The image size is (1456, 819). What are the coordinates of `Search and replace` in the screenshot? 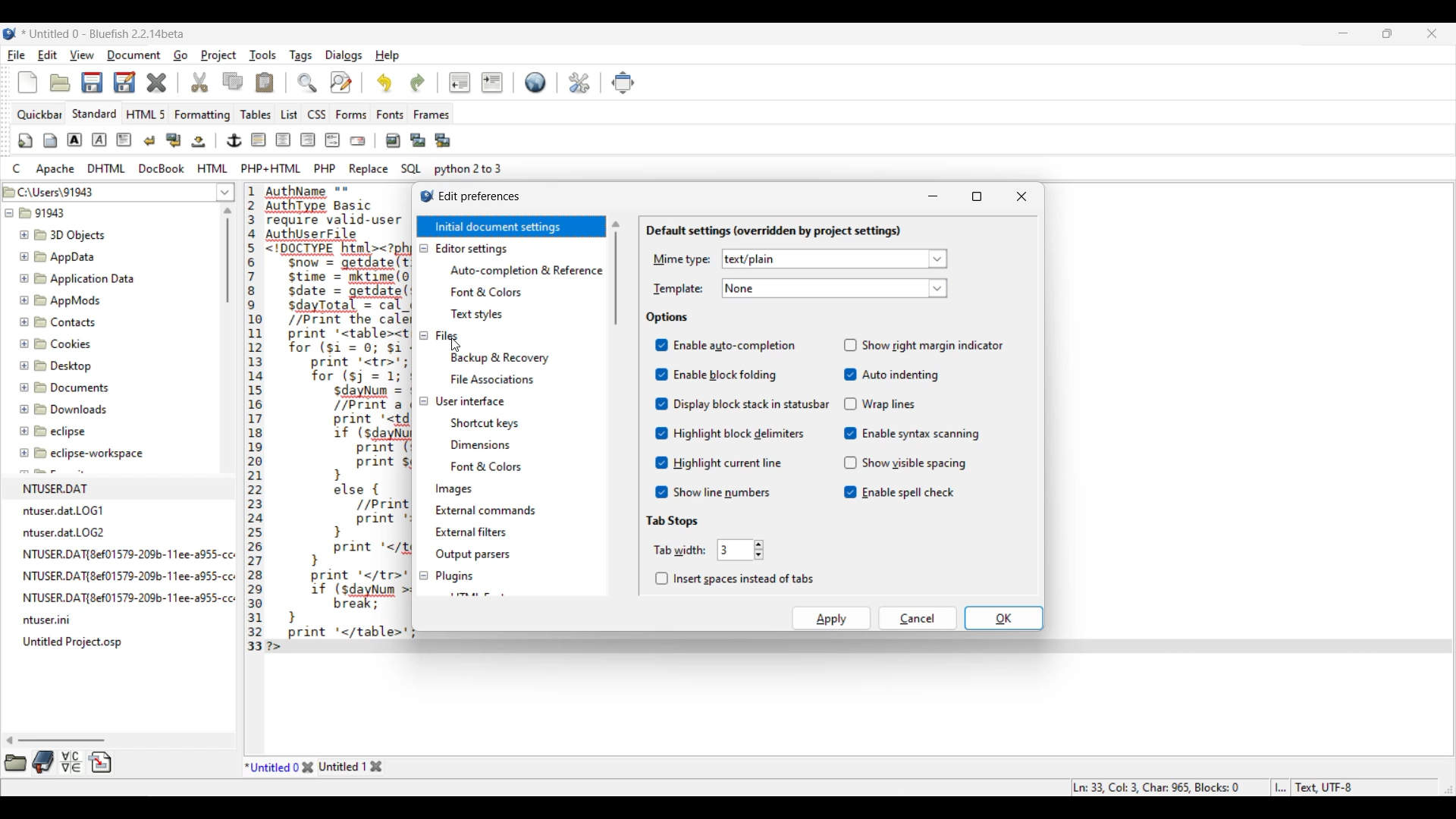 It's located at (325, 82).